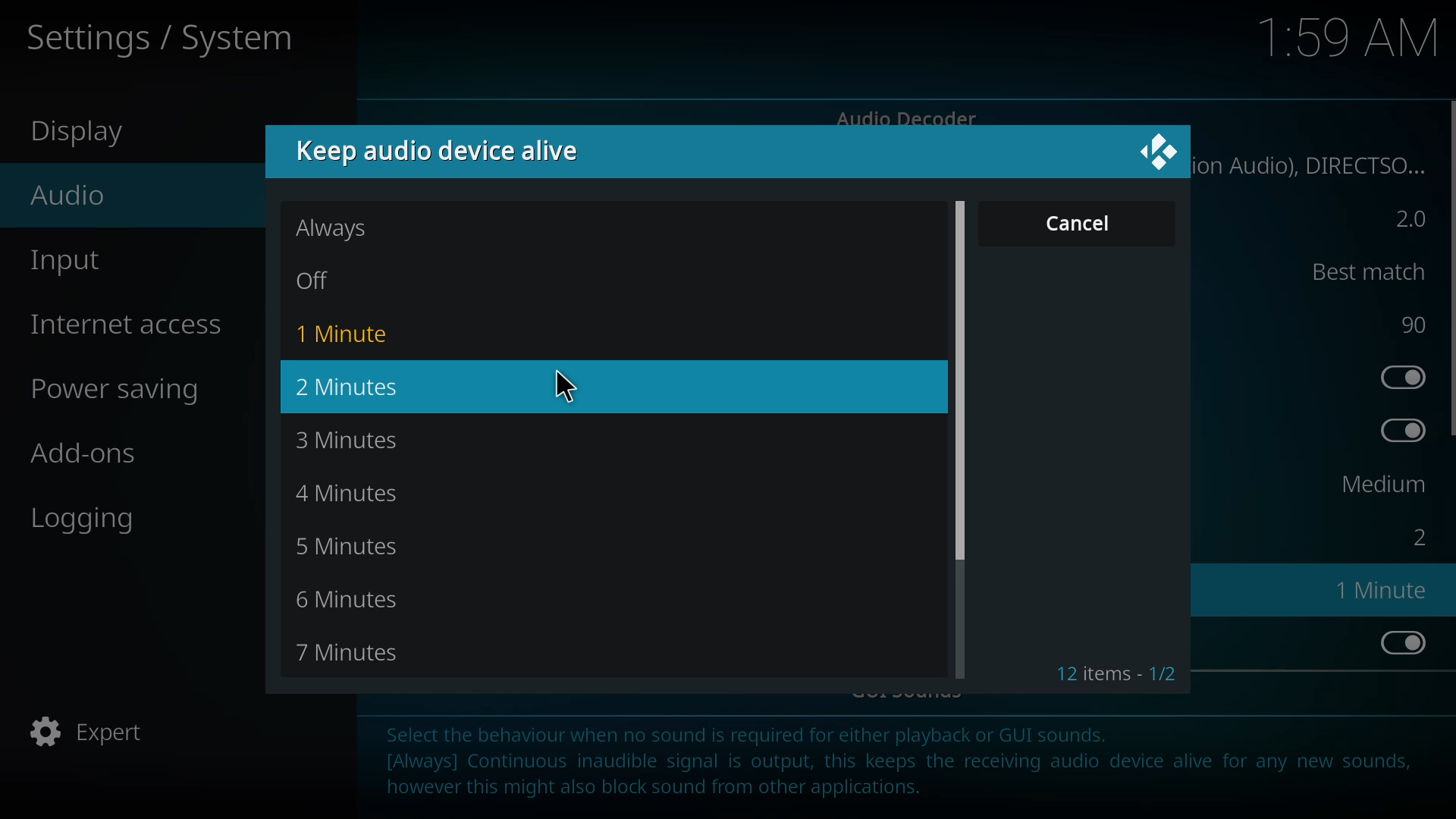  Describe the element at coordinates (1160, 153) in the screenshot. I see `close` at that location.